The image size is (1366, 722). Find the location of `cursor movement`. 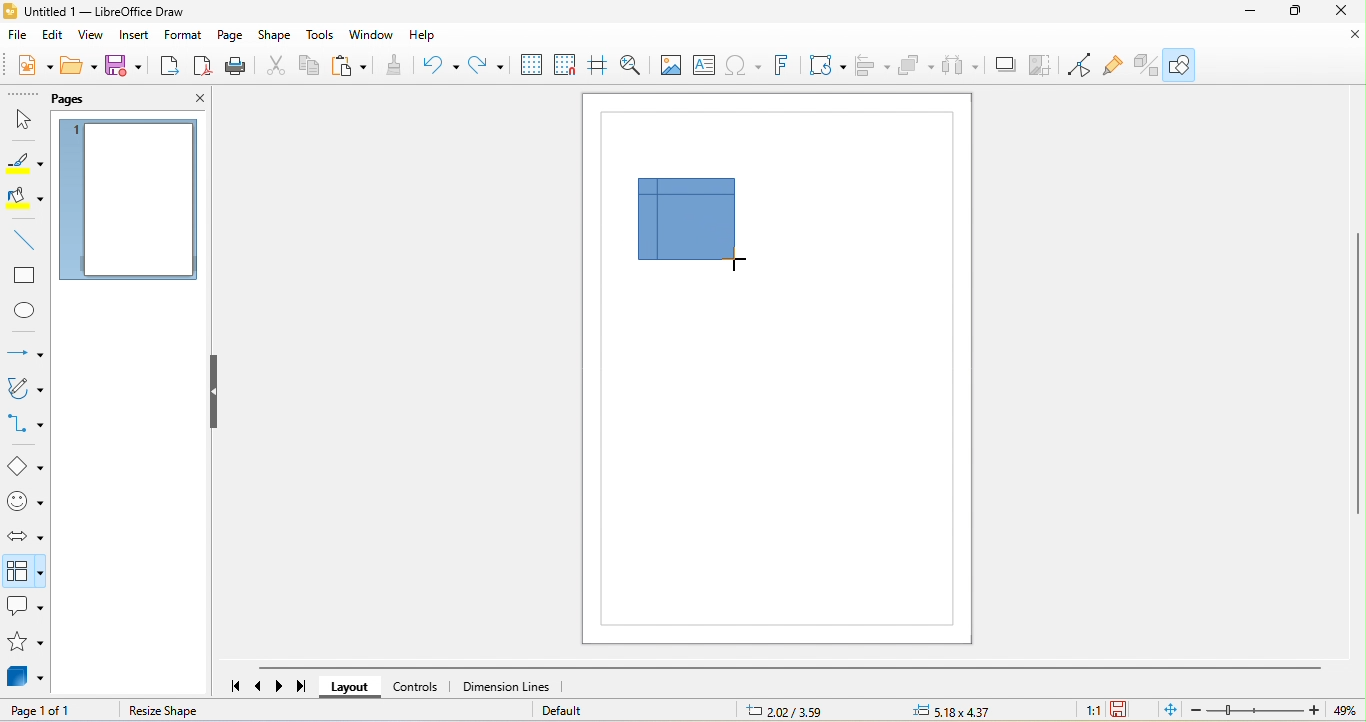

cursor movement is located at coordinates (742, 263).